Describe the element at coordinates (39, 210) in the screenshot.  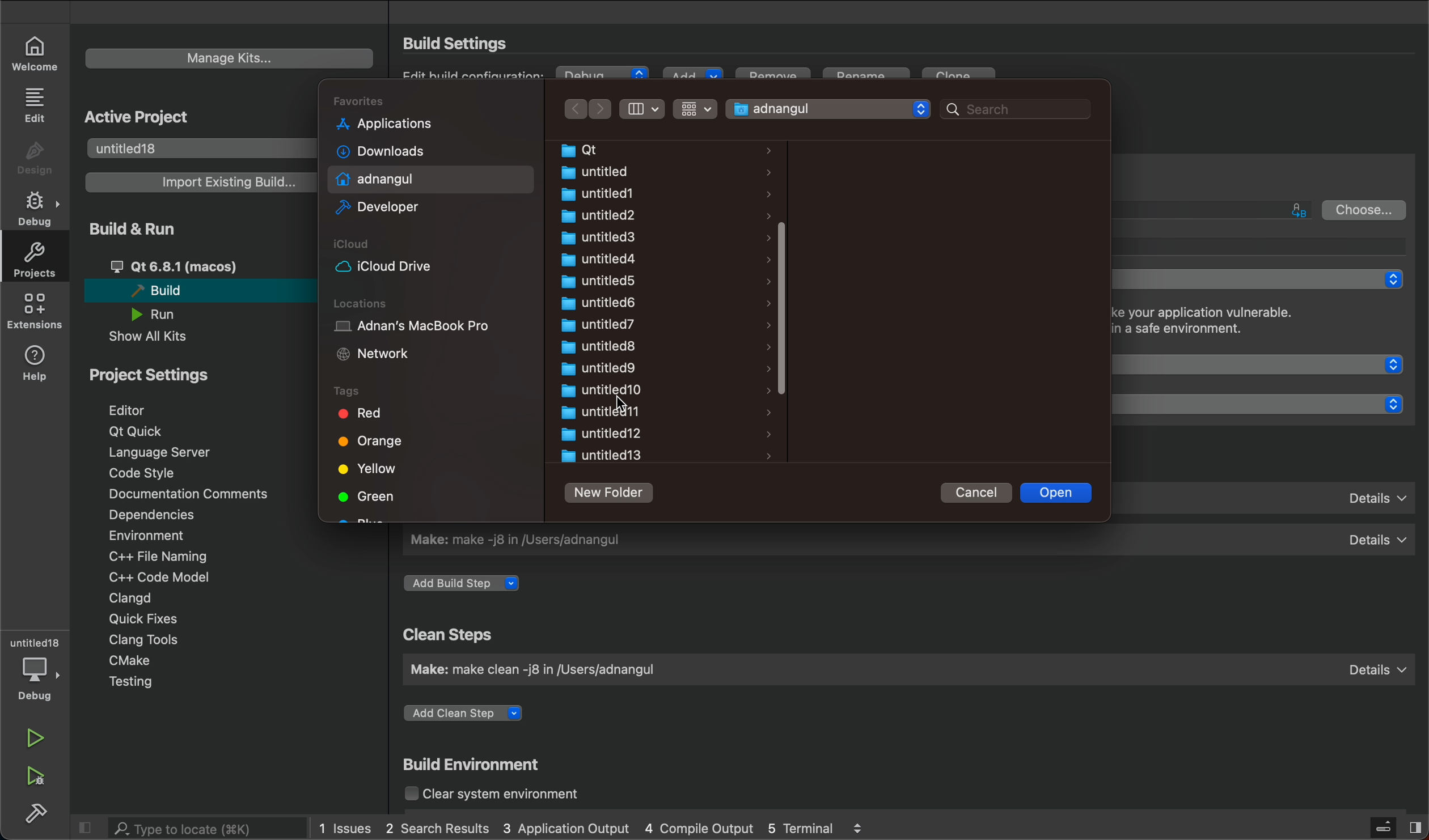
I see `debug` at that location.